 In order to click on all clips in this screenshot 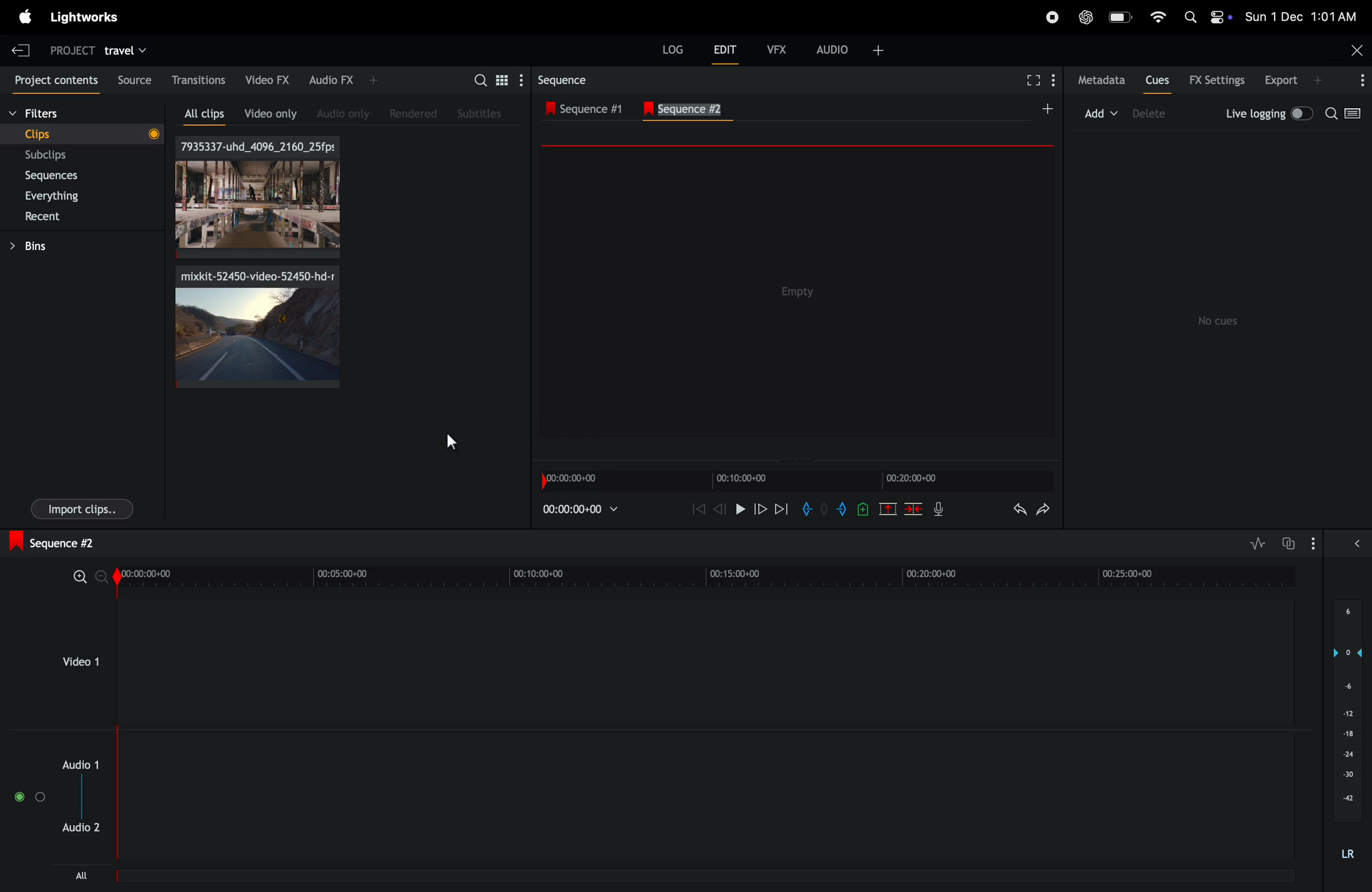, I will do `click(208, 114)`.